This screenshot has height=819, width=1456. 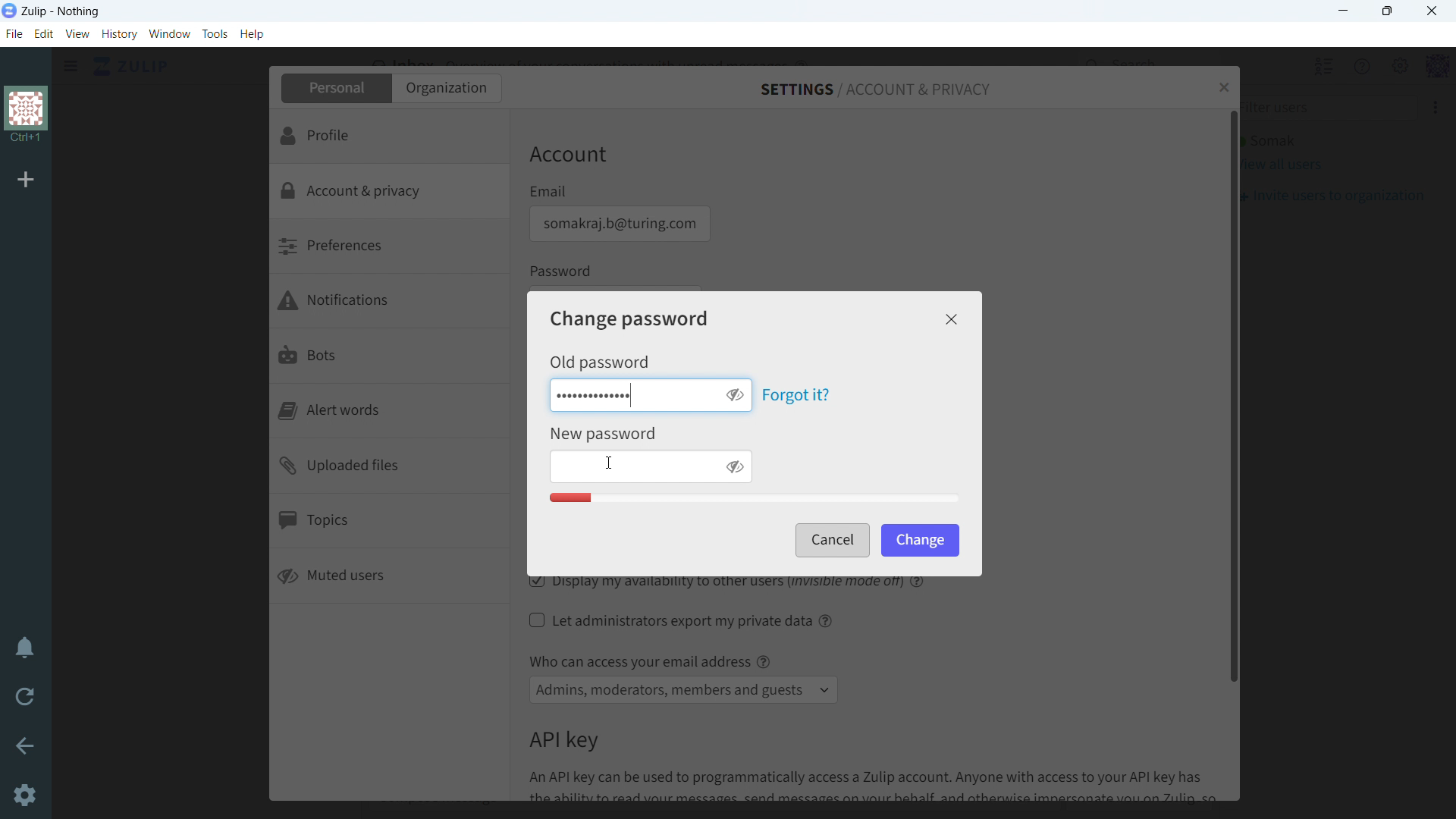 I want to click on uploaded files, so click(x=391, y=467).